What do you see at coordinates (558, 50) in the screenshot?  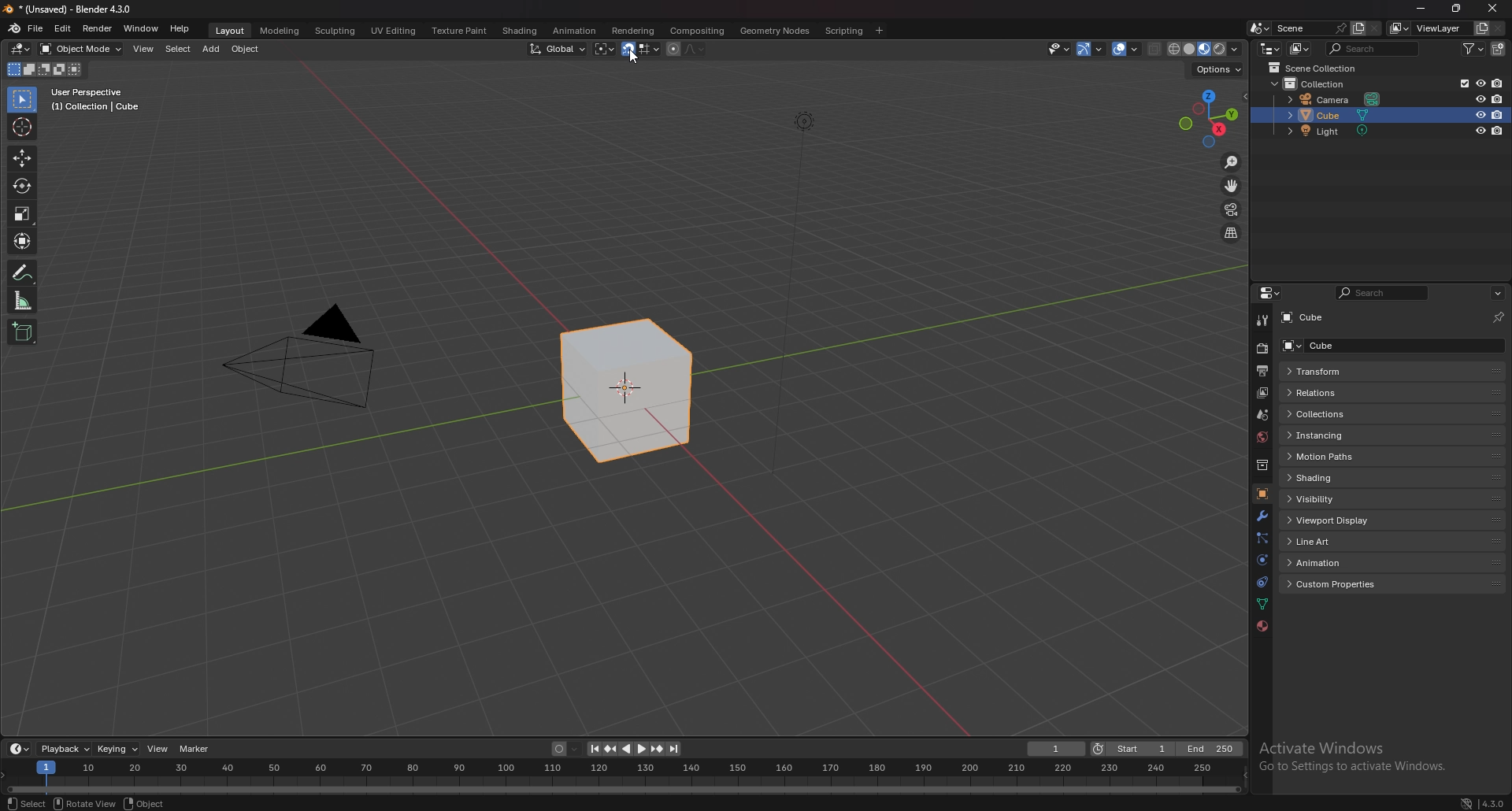 I see `transformation orientation` at bounding box center [558, 50].